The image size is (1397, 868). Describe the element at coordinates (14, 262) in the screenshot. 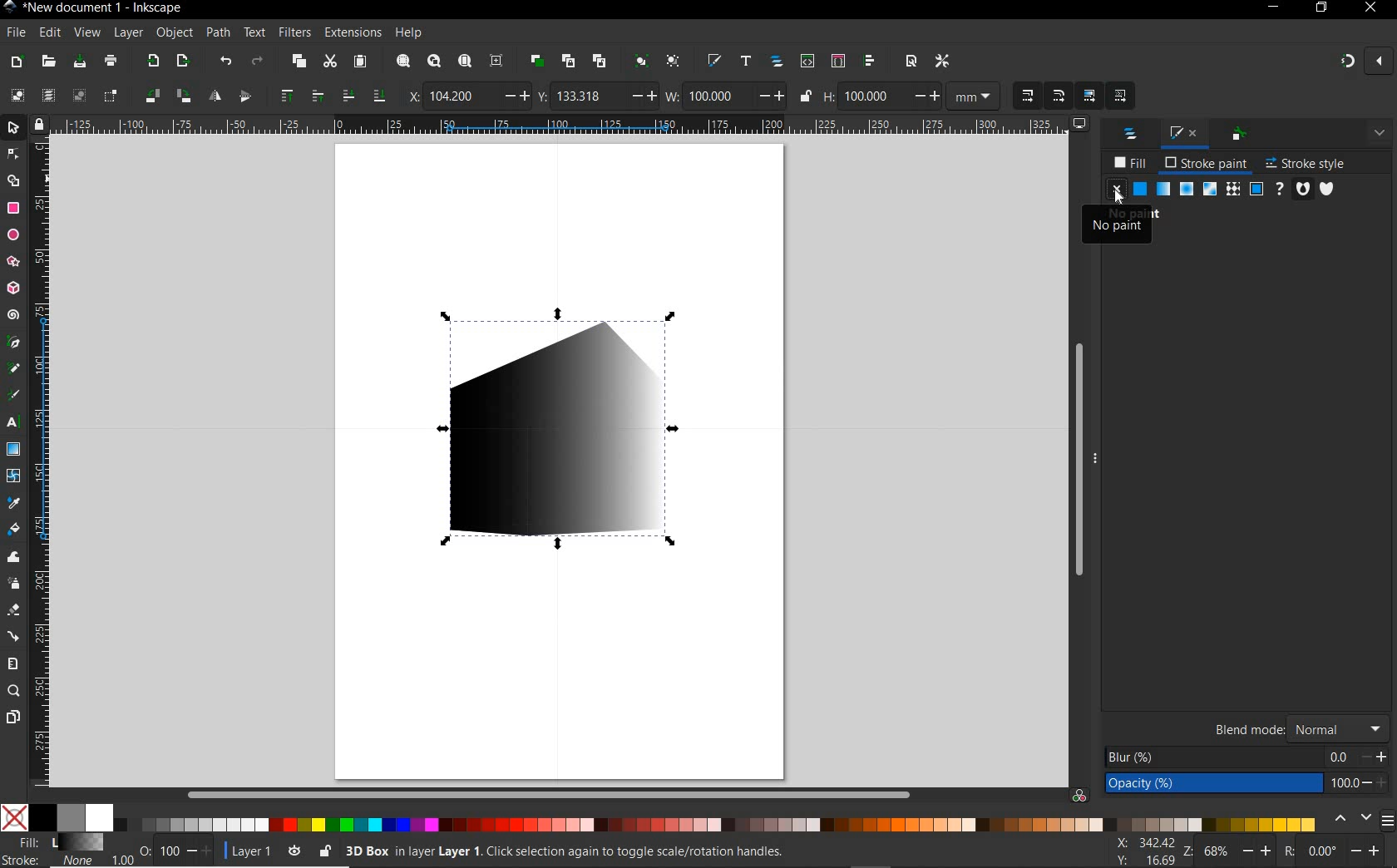

I see `STAR TOOL` at that location.